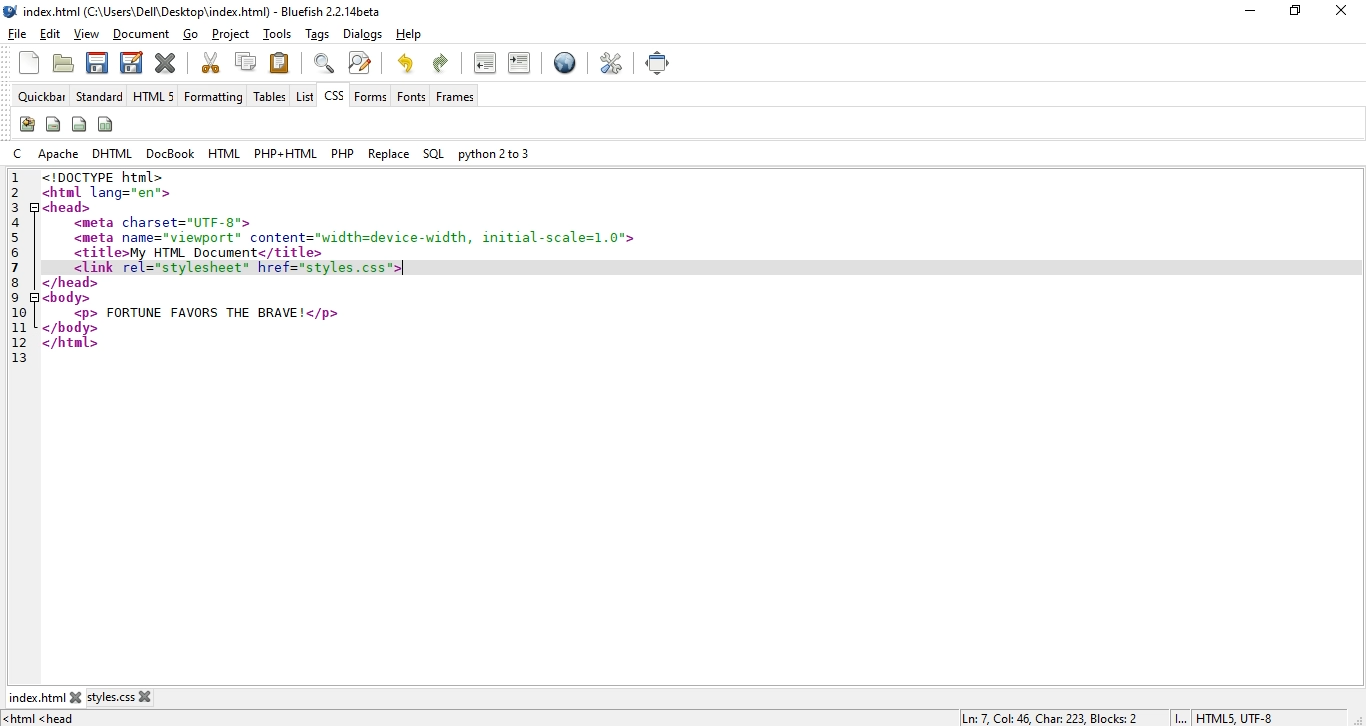 This screenshot has width=1366, height=726. What do you see at coordinates (213, 98) in the screenshot?
I see `formatting` at bounding box center [213, 98].